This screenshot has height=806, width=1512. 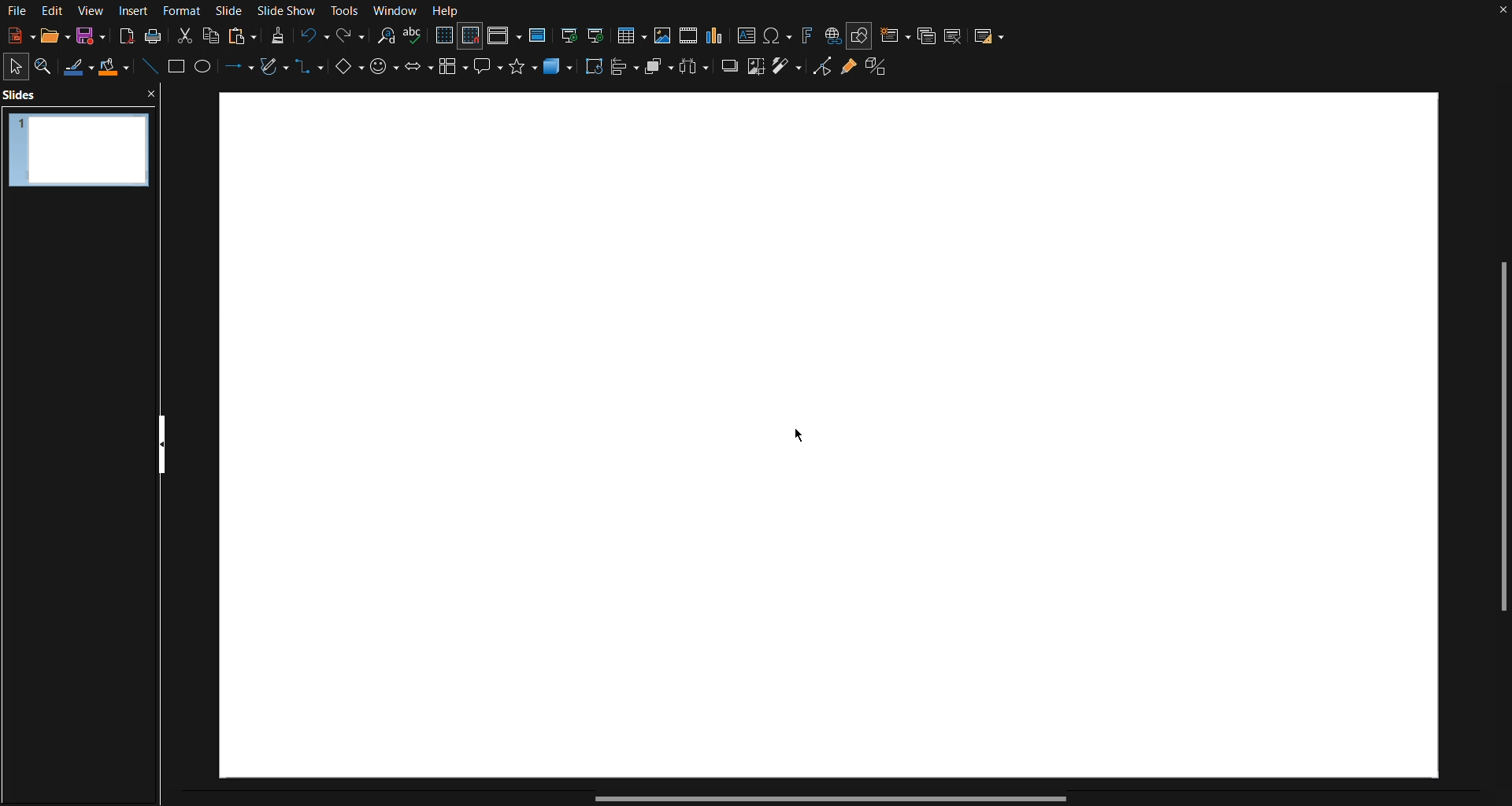 I want to click on Slide Show, so click(x=290, y=10).